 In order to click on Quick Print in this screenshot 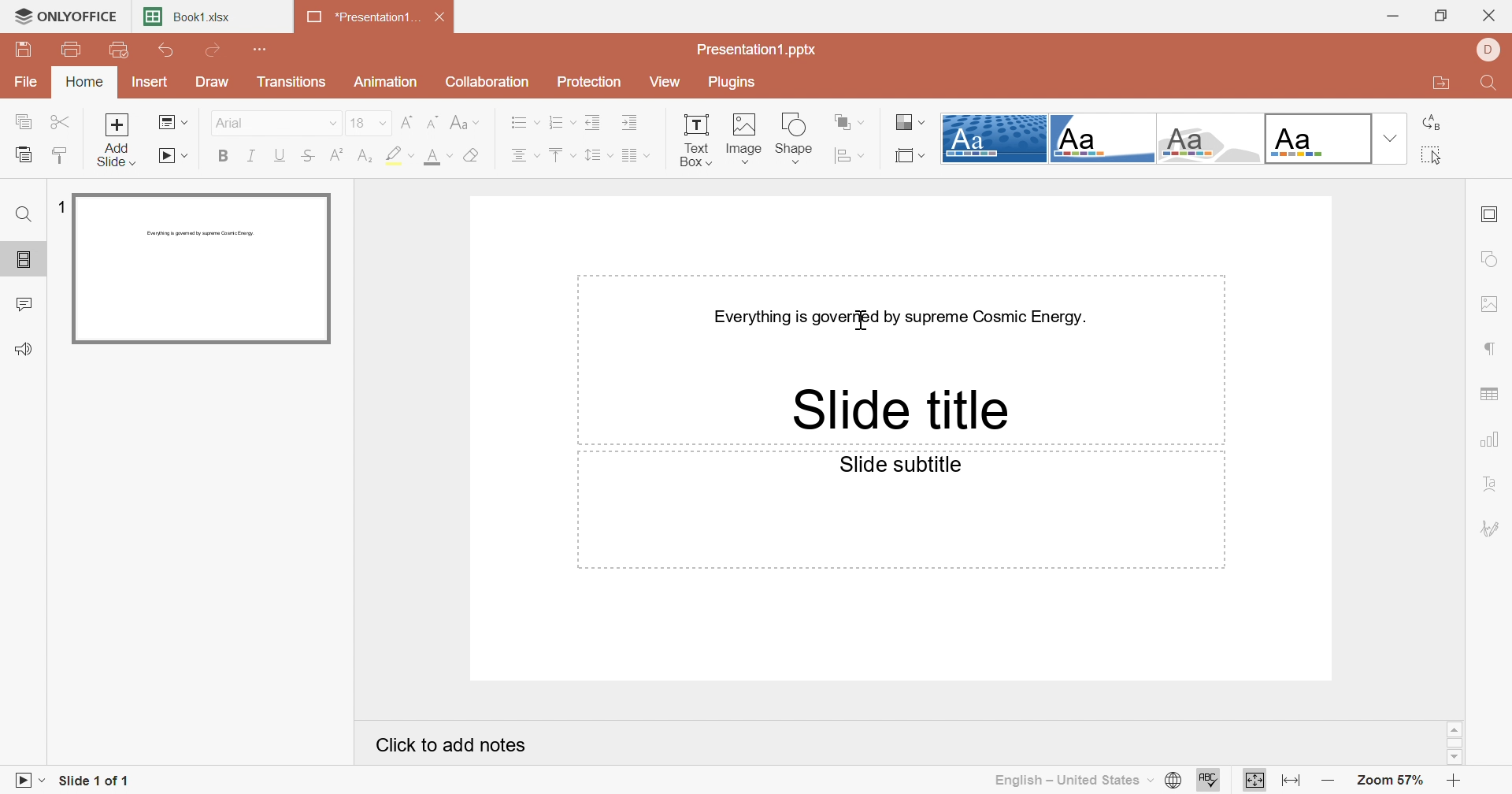, I will do `click(120, 50)`.